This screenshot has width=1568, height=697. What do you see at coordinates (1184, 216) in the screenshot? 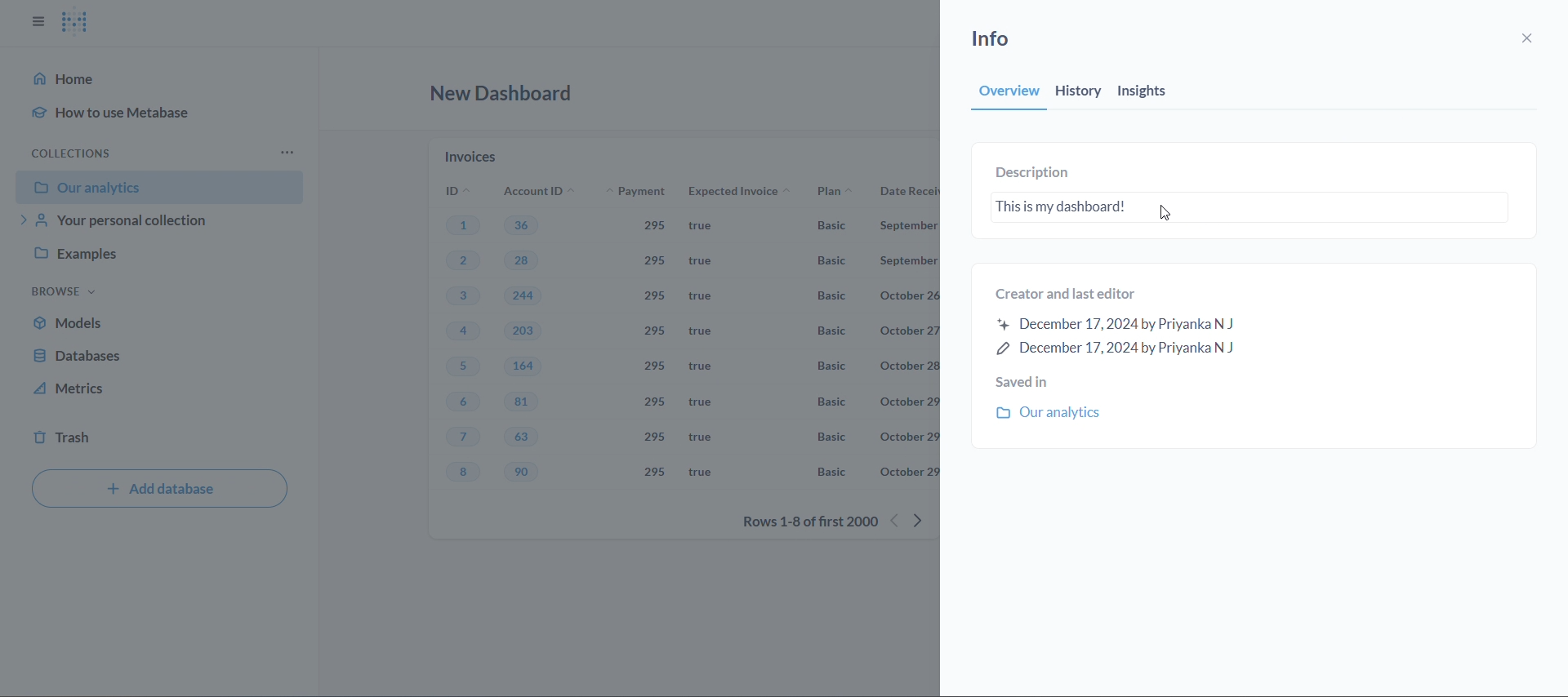
I see `cursor ` at bounding box center [1184, 216].